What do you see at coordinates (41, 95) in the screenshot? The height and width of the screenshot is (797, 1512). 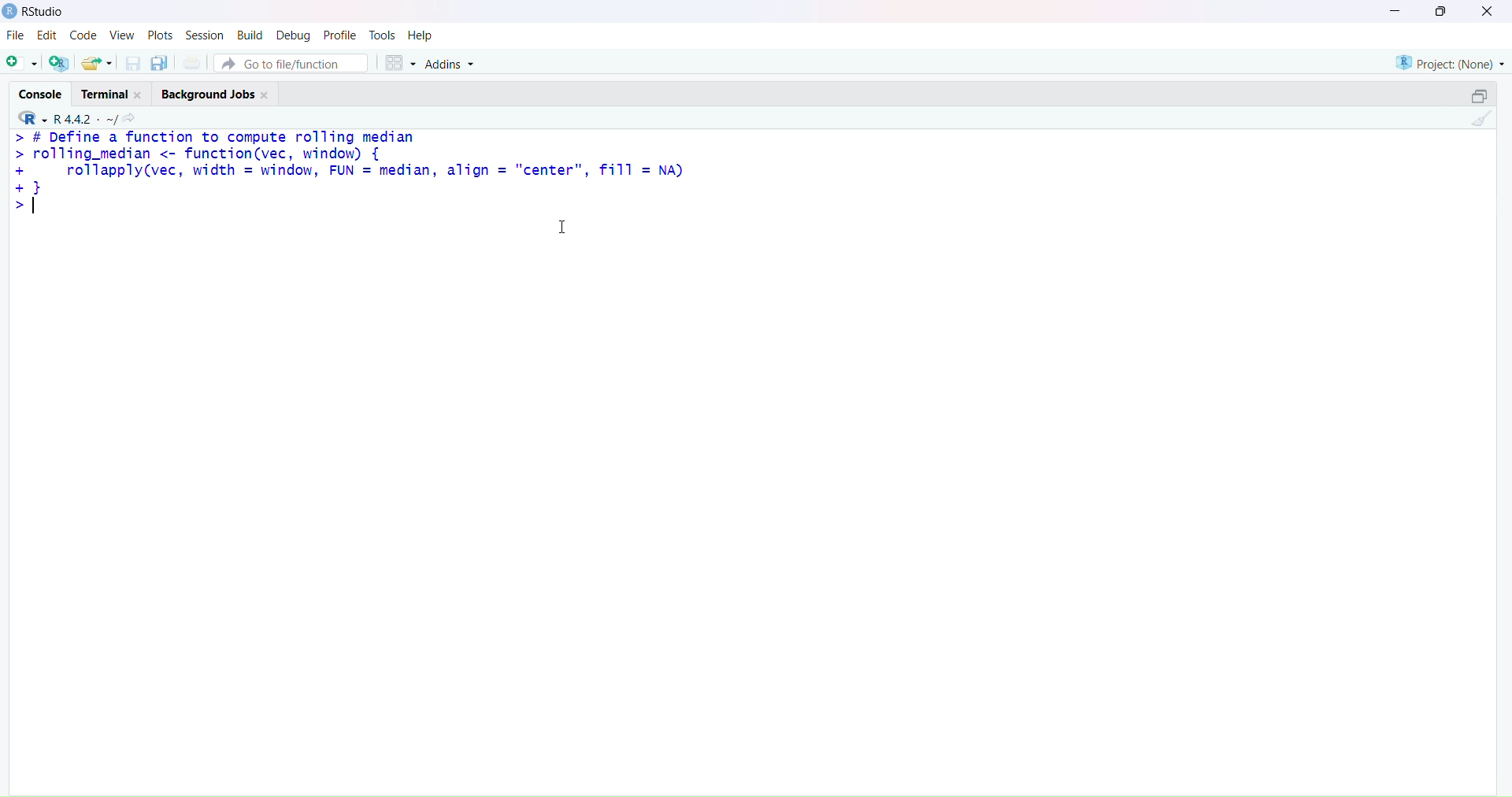 I see `console` at bounding box center [41, 95].